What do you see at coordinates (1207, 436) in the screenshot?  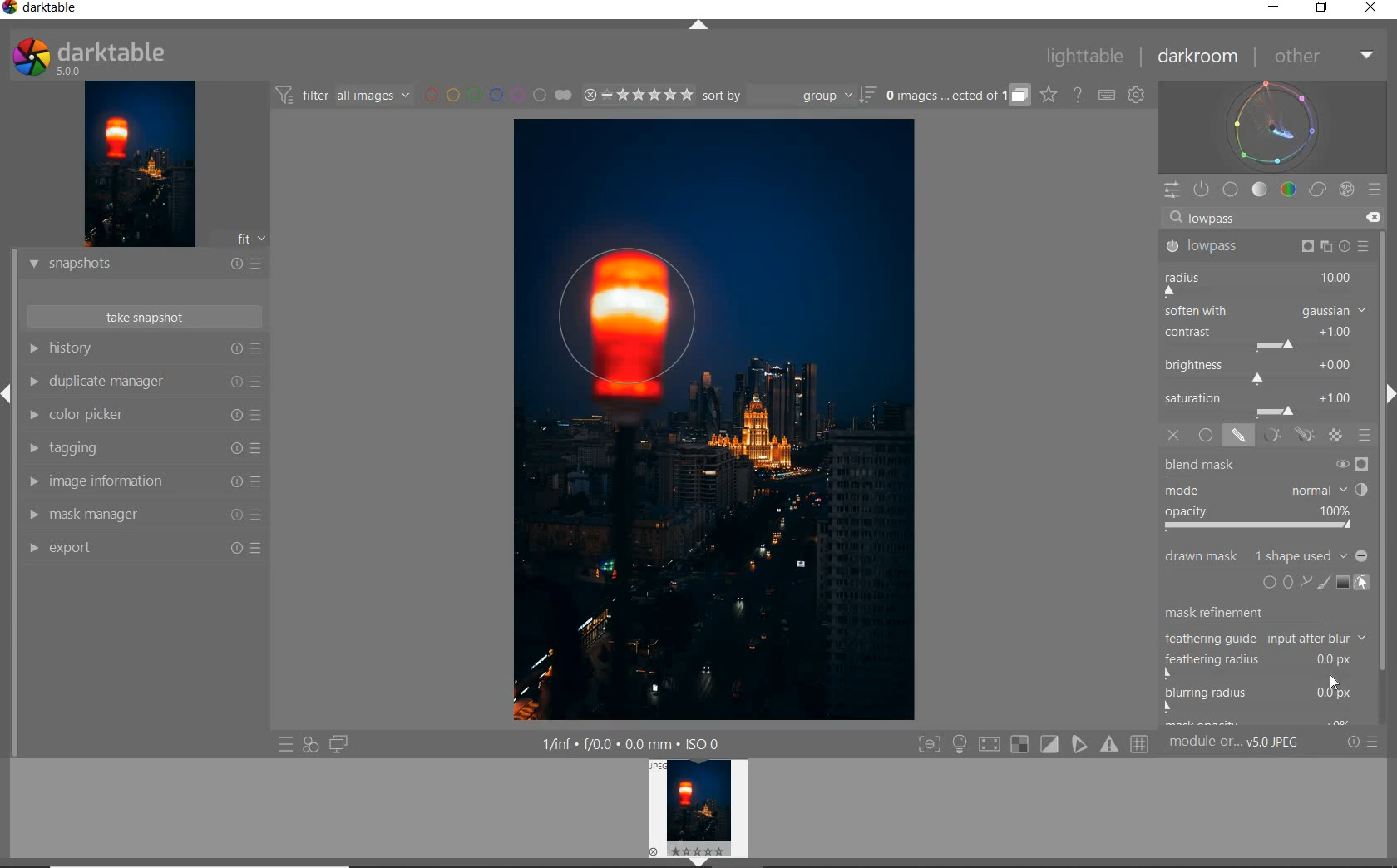 I see `UNIFORMLY` at bounding box center [1207, 436].